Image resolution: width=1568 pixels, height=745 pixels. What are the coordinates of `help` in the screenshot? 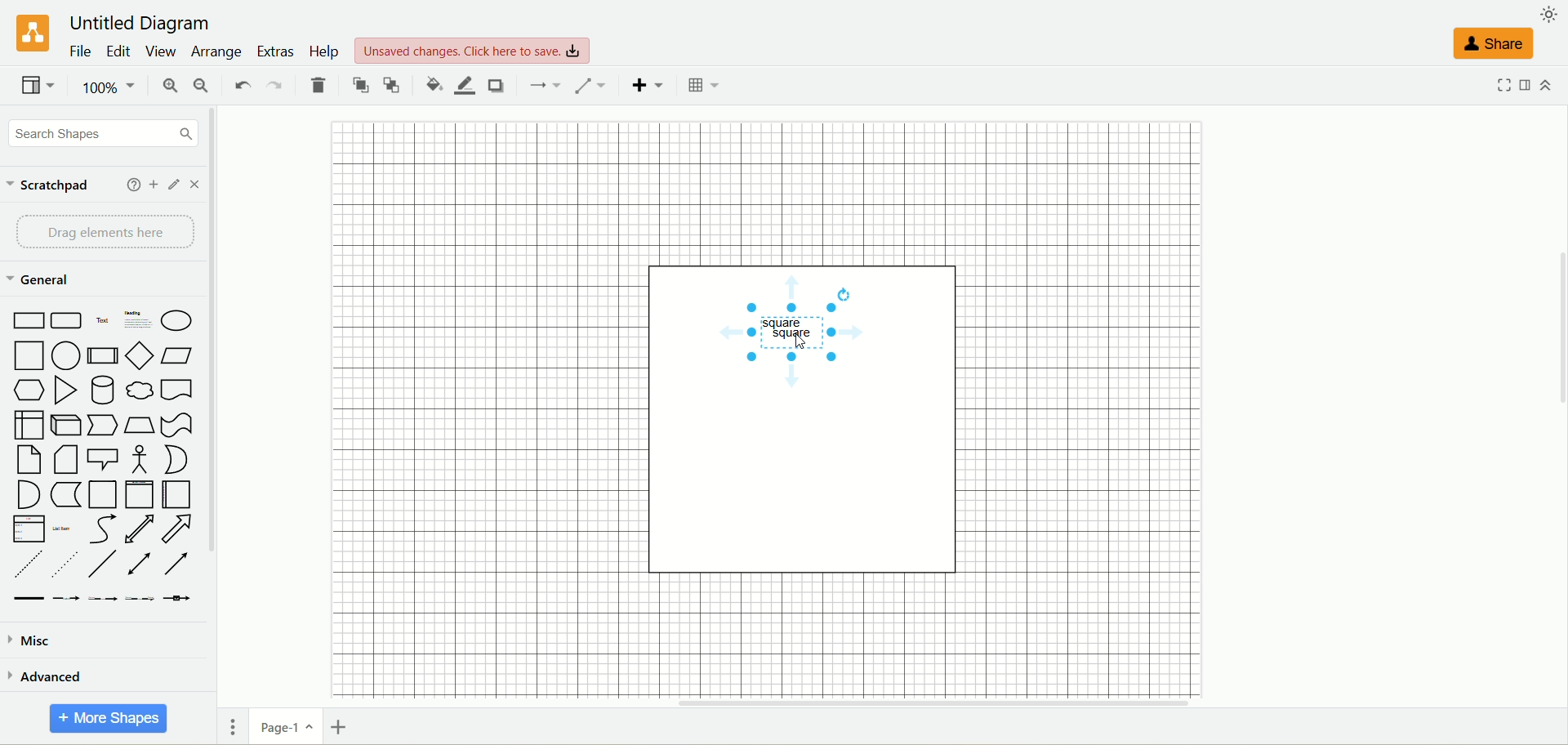 It's located at (322, 51).